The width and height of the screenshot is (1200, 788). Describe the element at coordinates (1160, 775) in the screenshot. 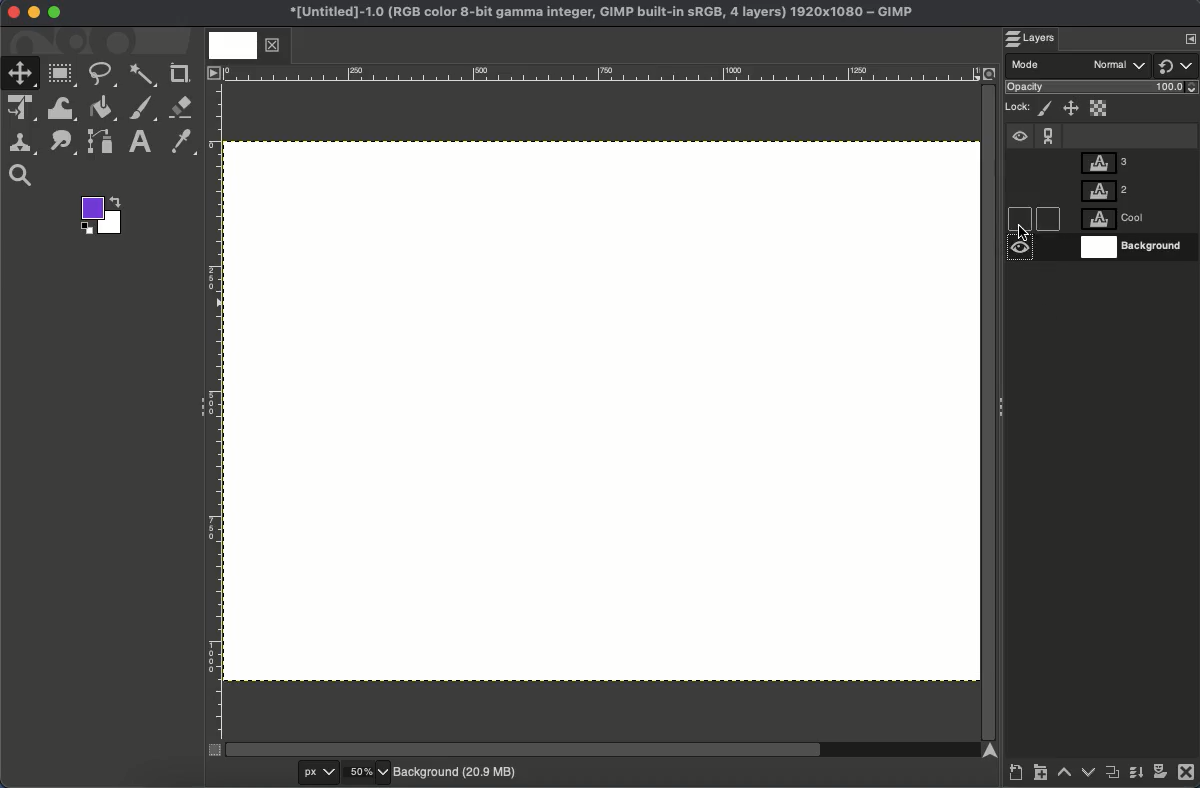

I see `Add a mask` at that location.